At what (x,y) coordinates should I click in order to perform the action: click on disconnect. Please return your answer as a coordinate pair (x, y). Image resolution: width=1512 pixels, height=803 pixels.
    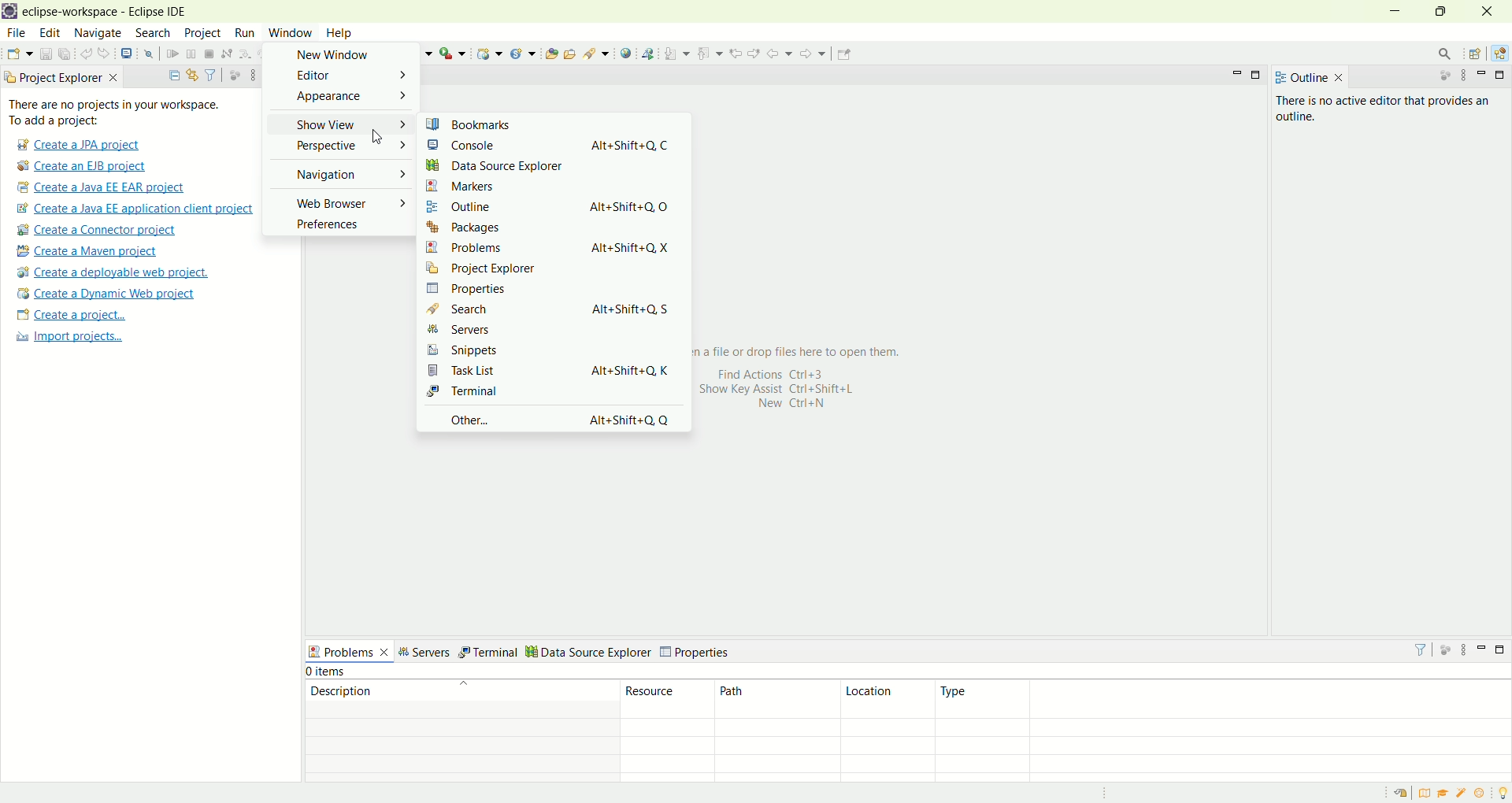
    Looking at the image, I should click on (225, 53).